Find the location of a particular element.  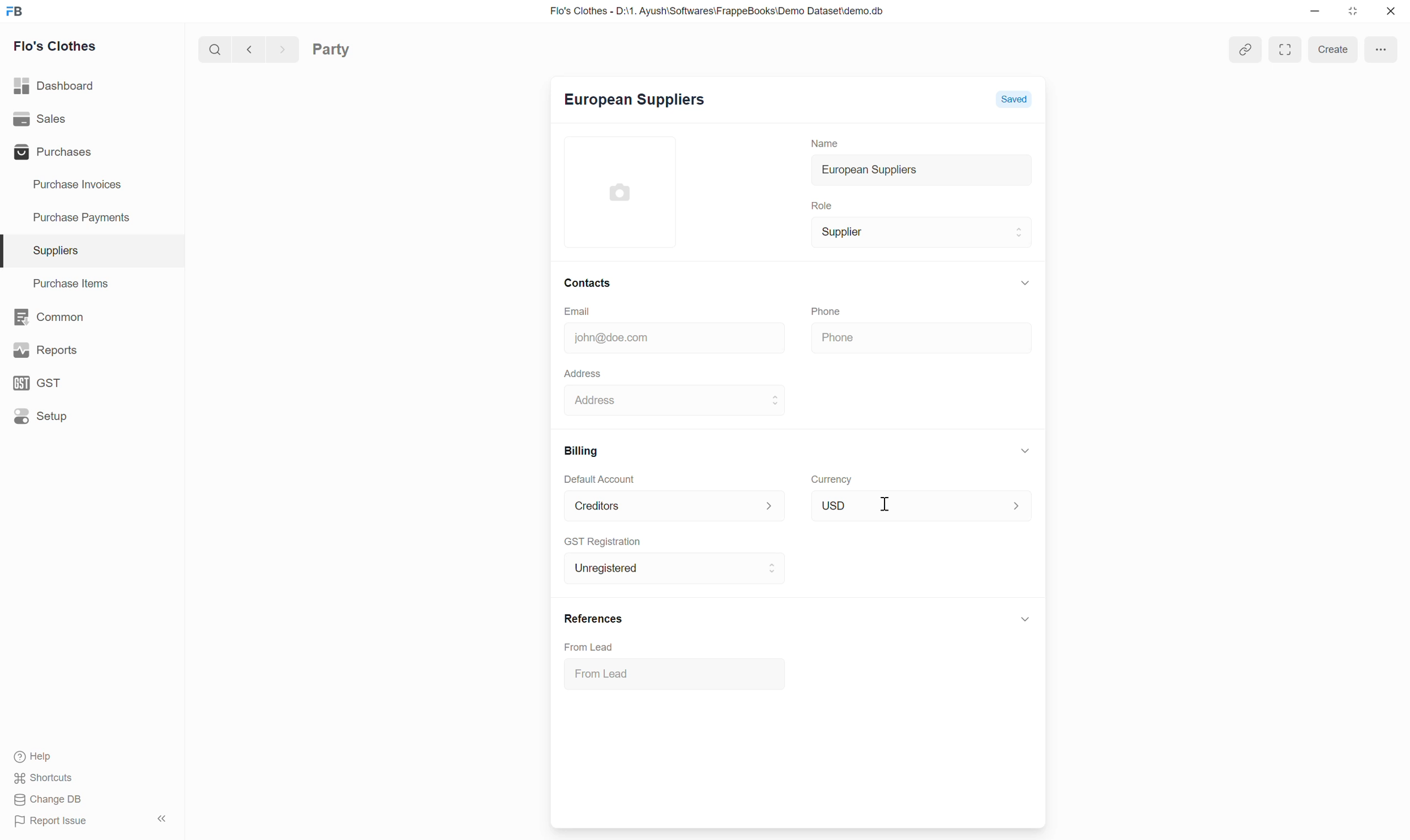

Creditors is located at coordinates (592, 504).